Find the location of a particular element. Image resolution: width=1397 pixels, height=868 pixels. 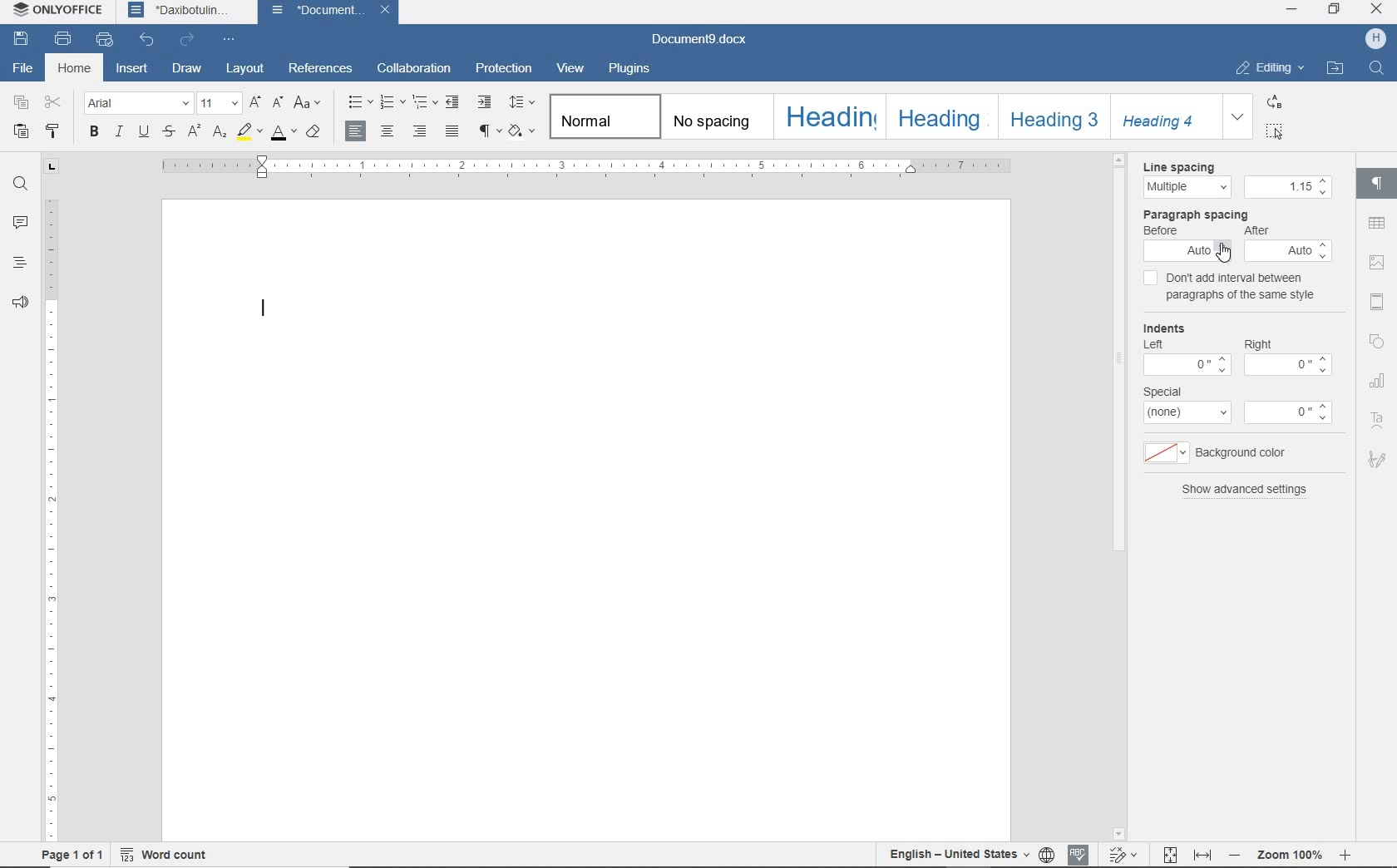

multilevel list is located at coordinates (427, 104).